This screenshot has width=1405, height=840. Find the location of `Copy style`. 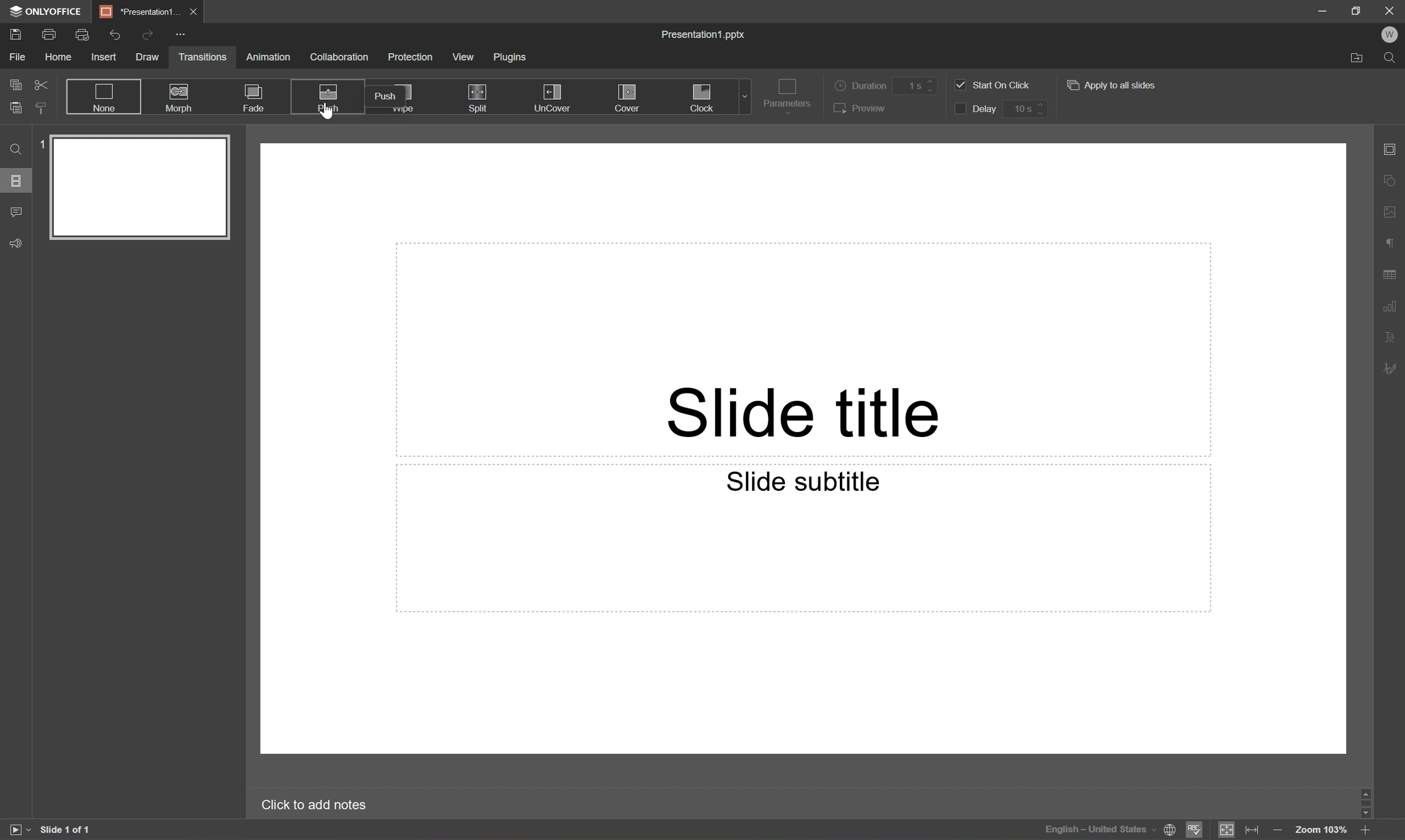

Copy style is located at coordinates (41, 109).